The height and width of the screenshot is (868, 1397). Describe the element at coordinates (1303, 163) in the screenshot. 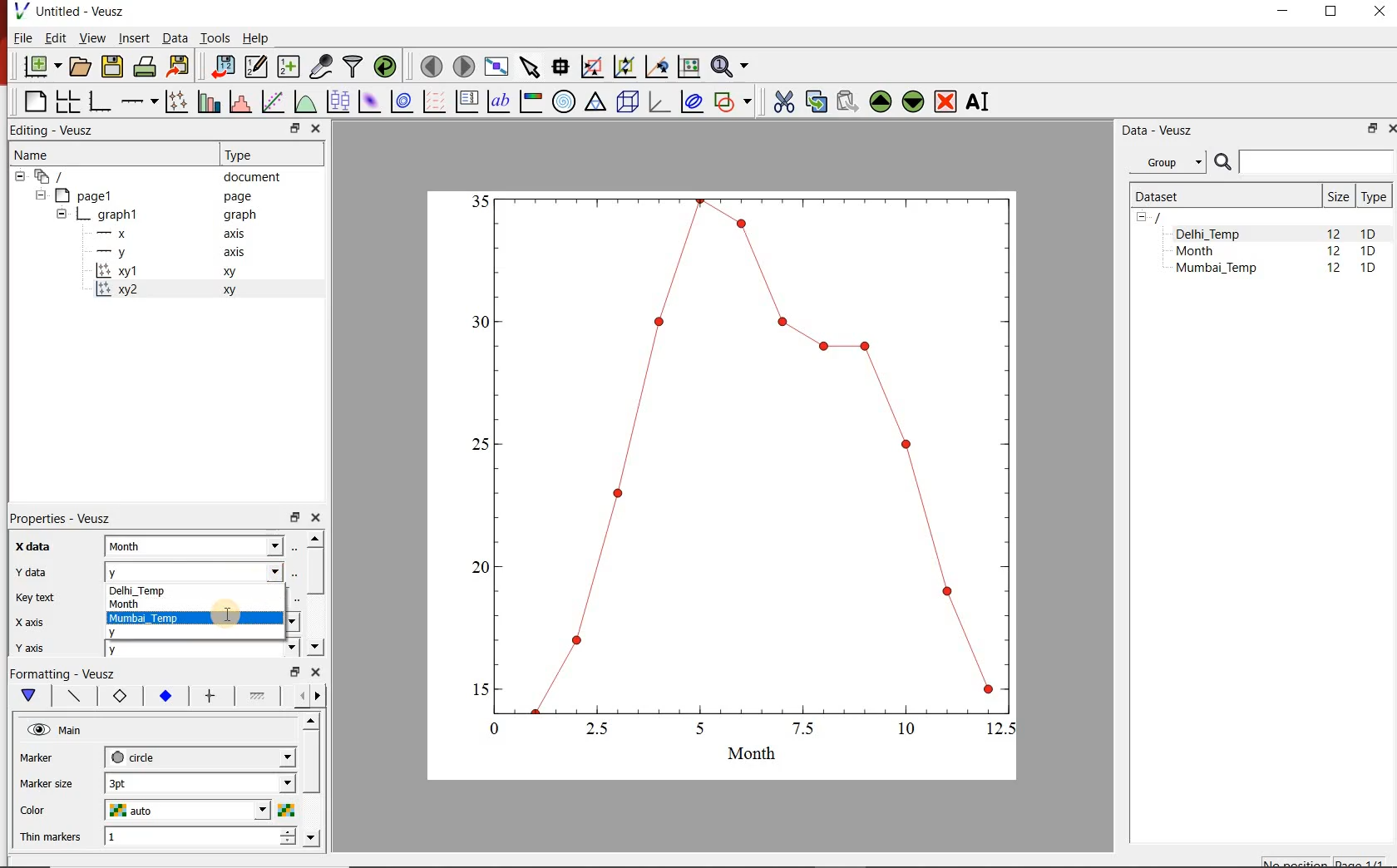

I see `SEARCH DATASETS` at that location.